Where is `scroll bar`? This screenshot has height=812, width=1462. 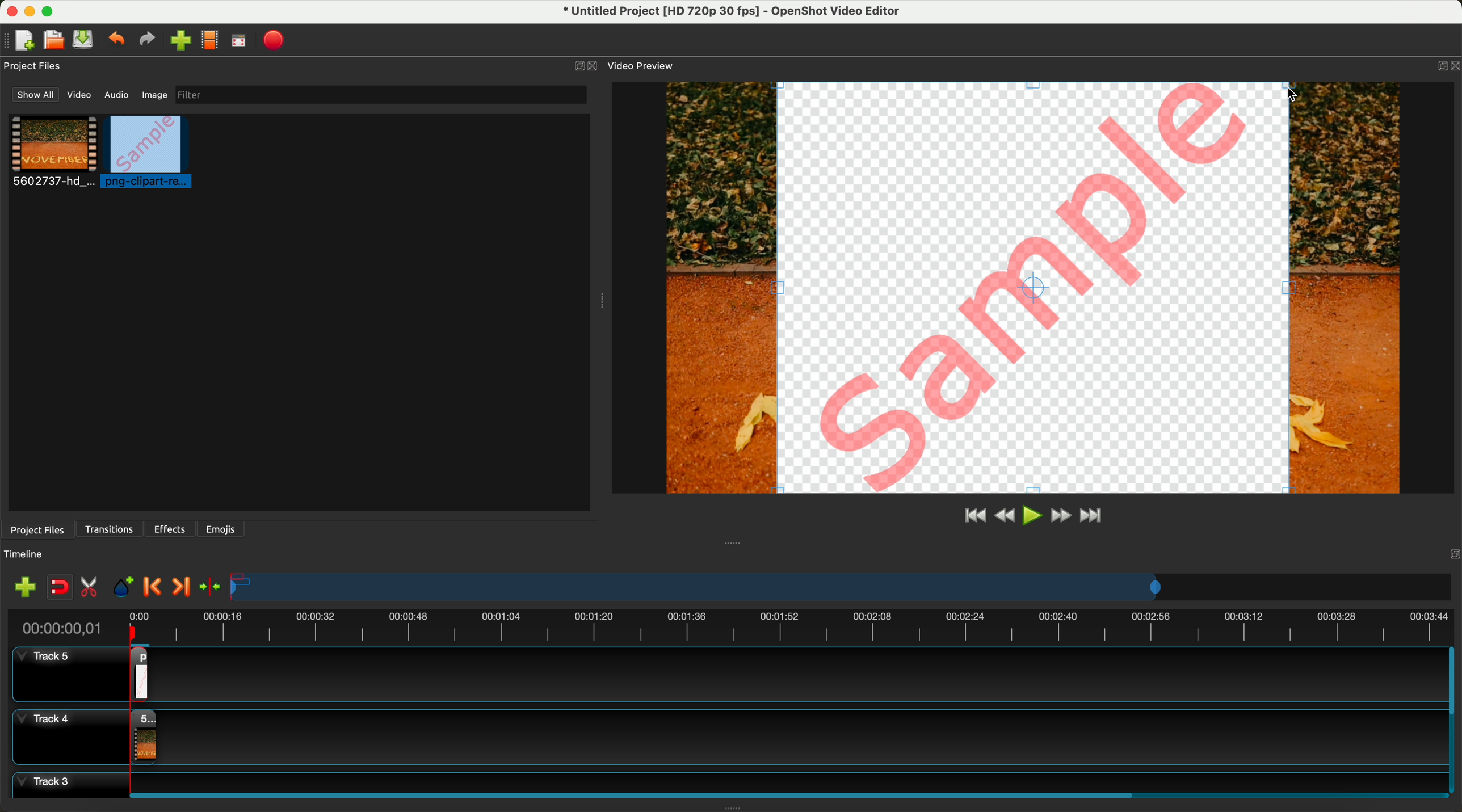
scroll bar is located at coordinates (1453, 720).